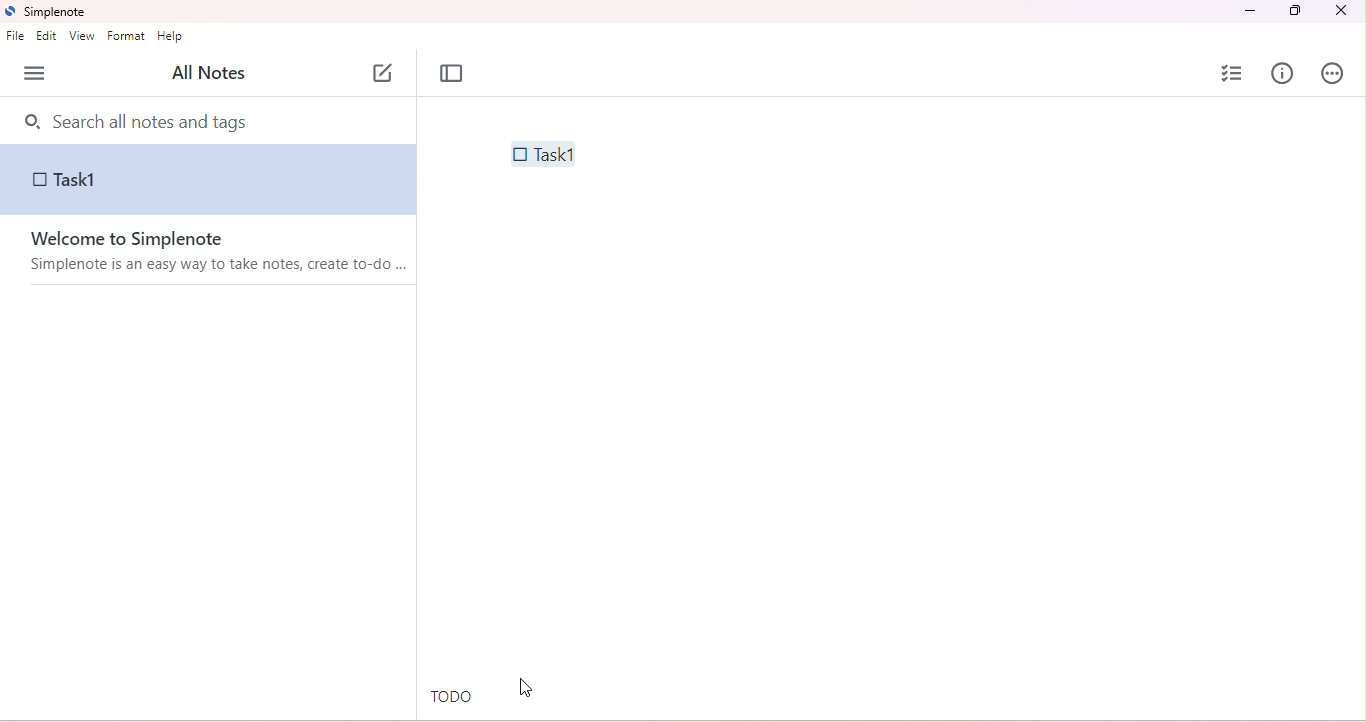 Image resolution: width=1366 pixels, height=722 pixels. Describe the element at coordinates (212, 120) in the screenshot. I see `search bar` at that location.